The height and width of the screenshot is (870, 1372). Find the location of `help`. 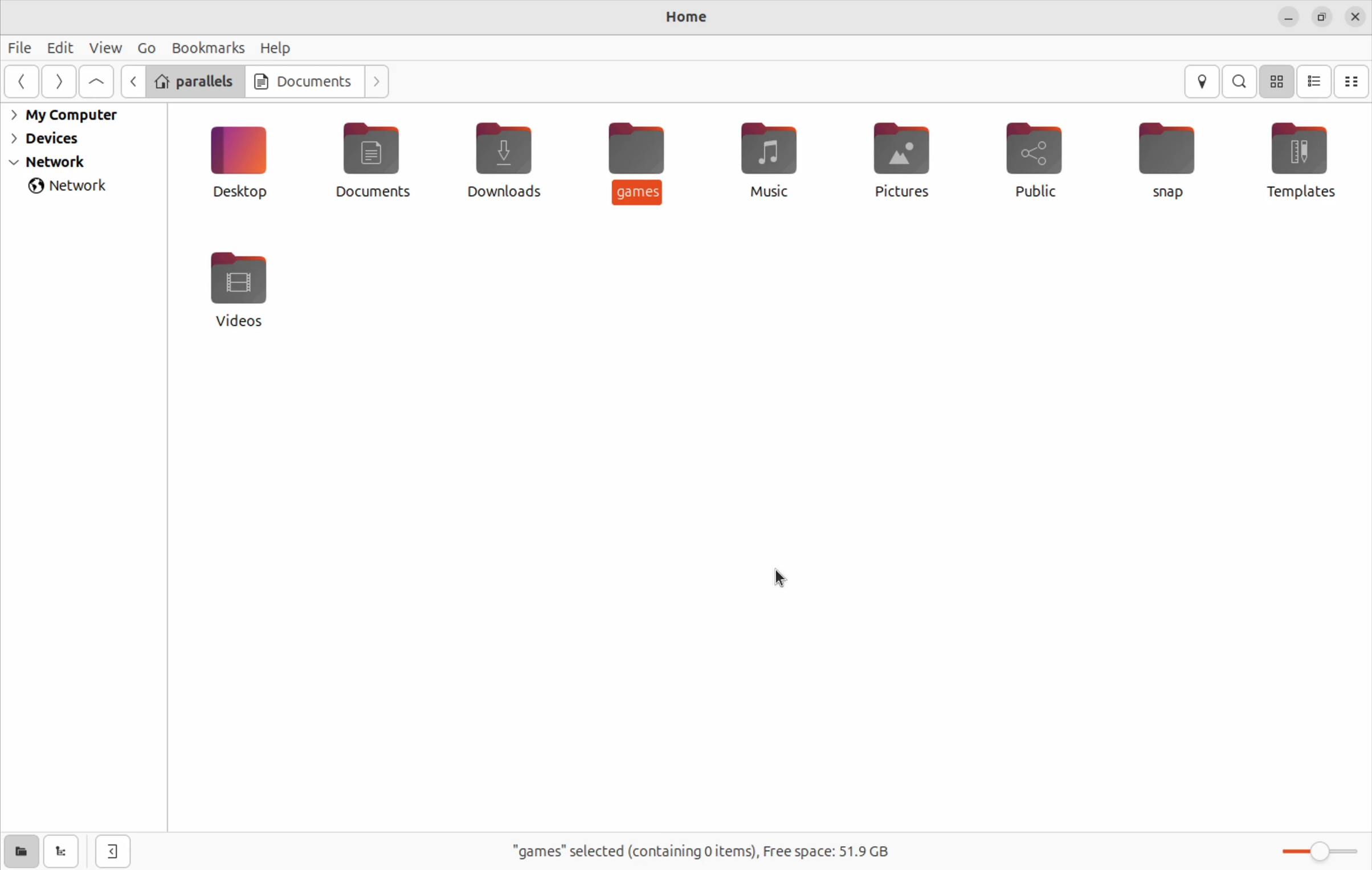

help is located at coordinates (275, 49).